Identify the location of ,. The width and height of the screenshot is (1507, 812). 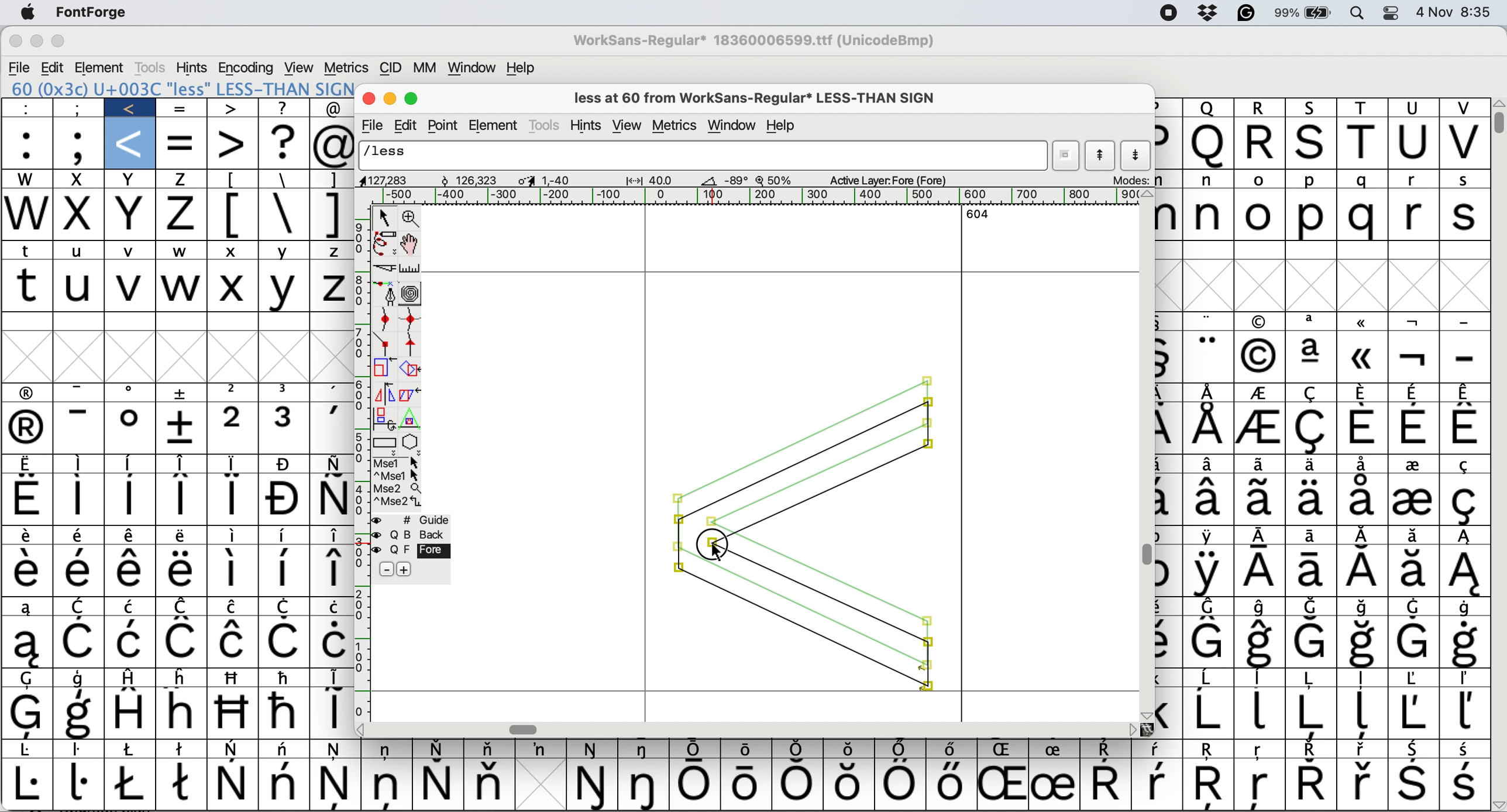
(328, 426).